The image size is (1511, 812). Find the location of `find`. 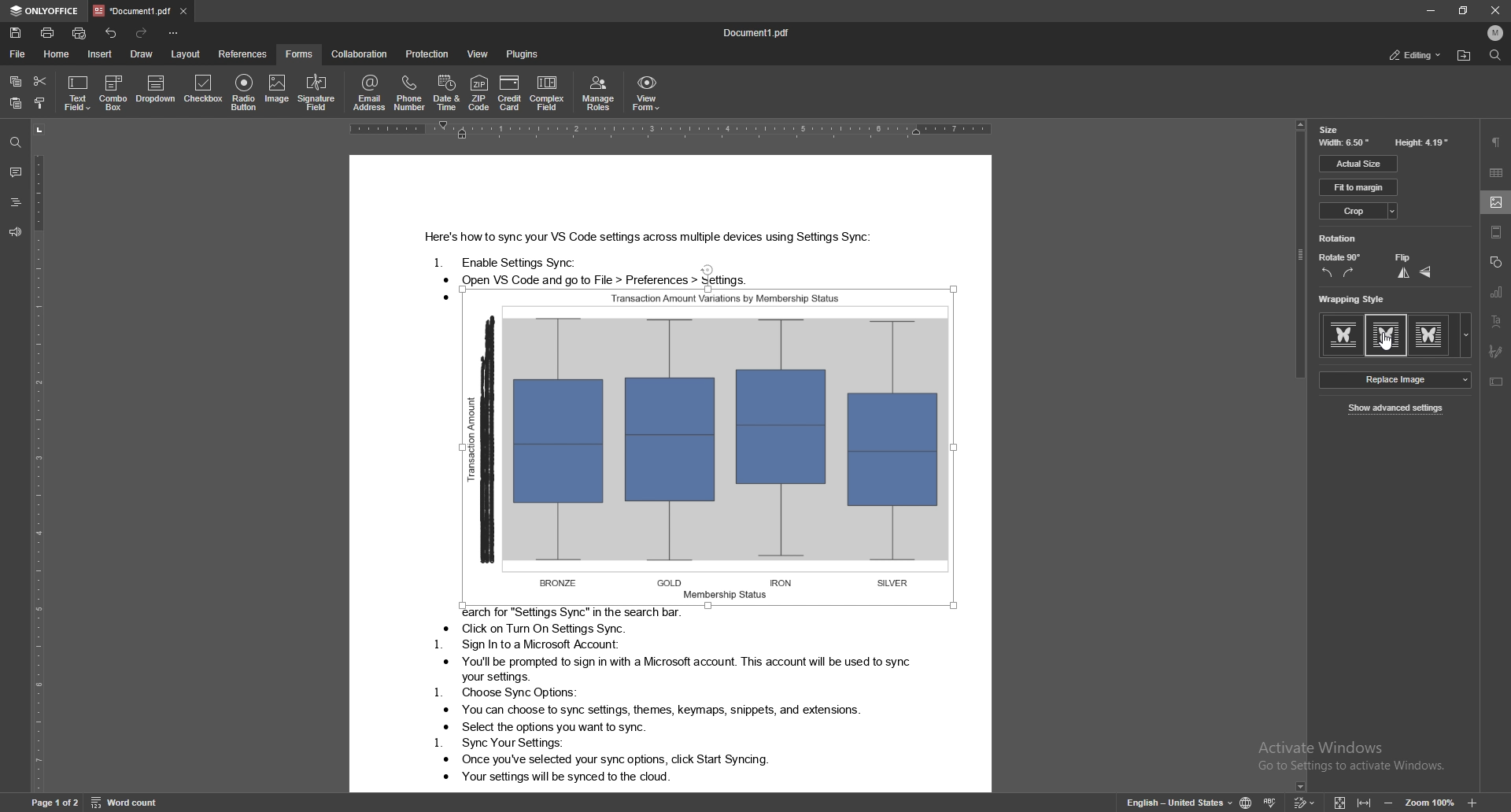

find is located at coordinates (16, 143).